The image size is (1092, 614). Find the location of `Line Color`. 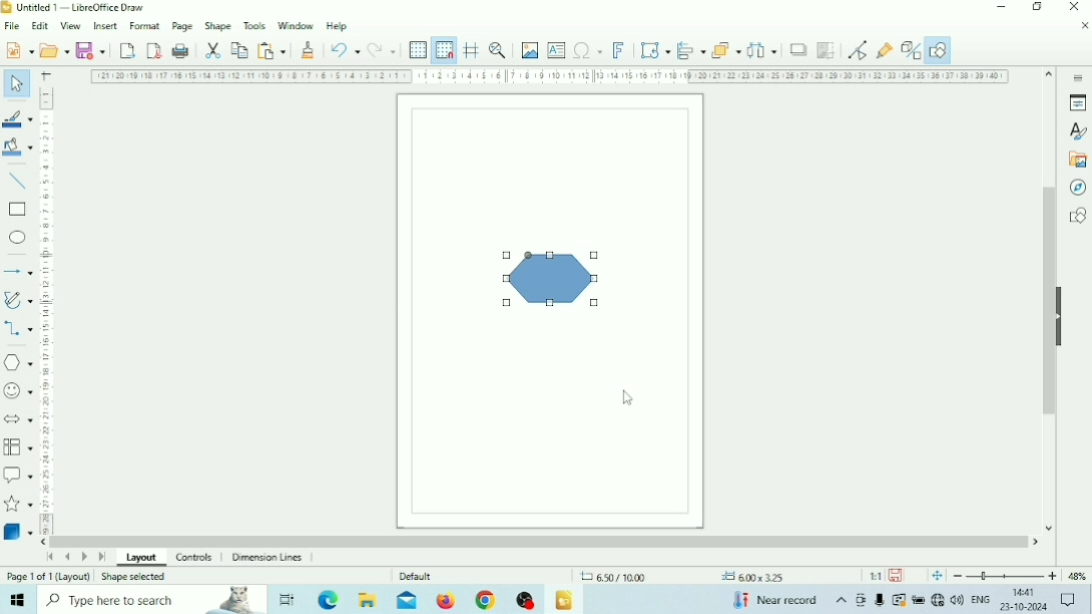

Line Color is located at coordinates (18, 119).